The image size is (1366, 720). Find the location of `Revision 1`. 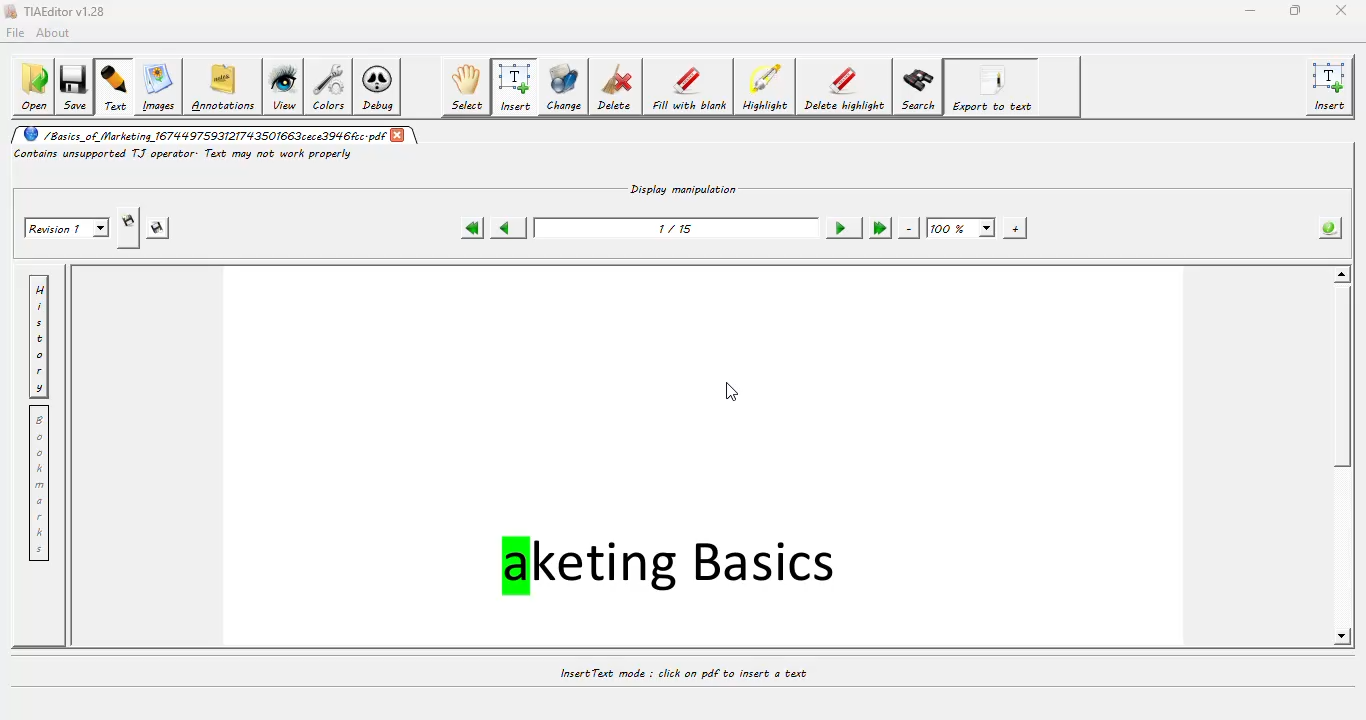

Revision 1 is located at coordinates (69, 227).